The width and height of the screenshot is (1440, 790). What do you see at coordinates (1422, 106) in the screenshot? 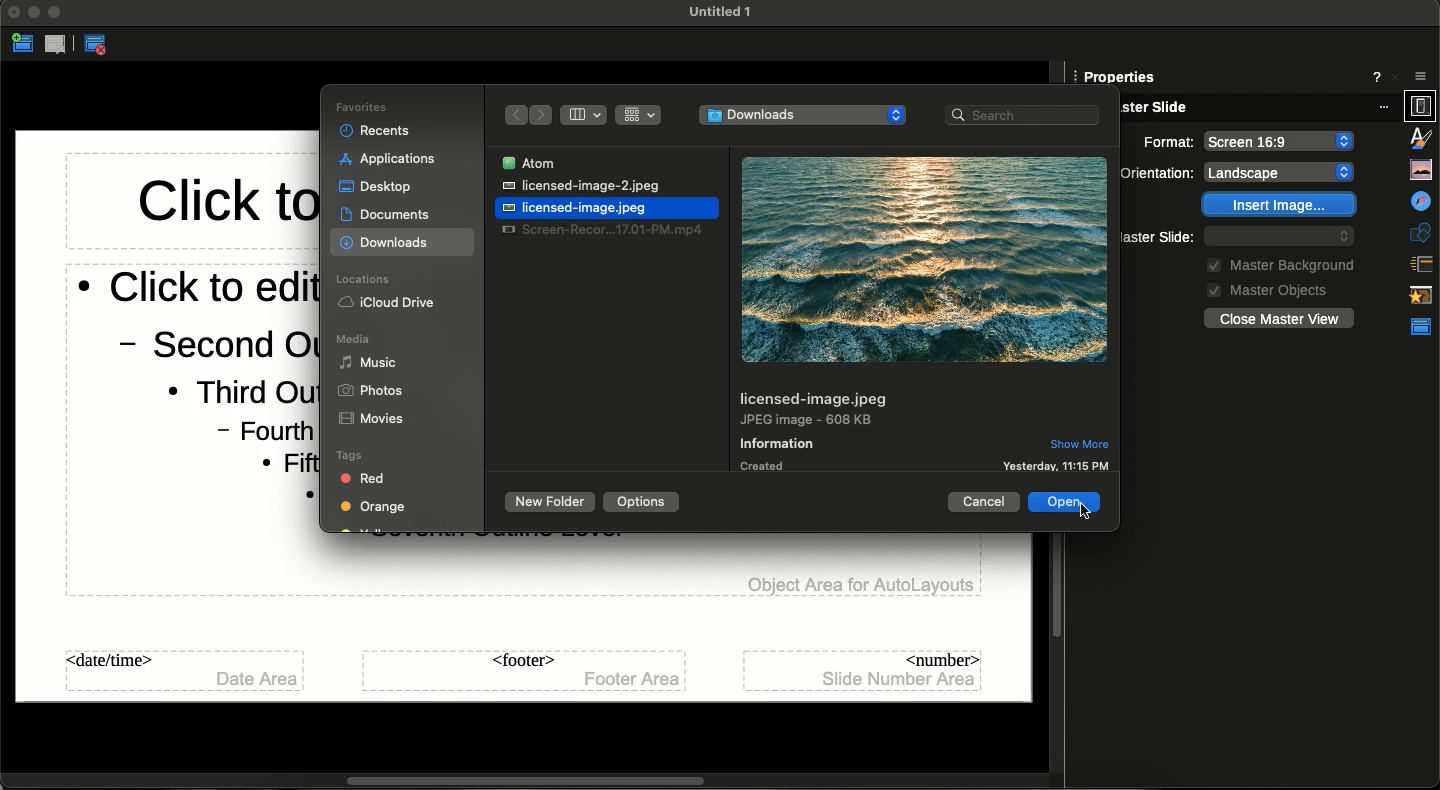
I see `Styles` at bounding box center [1422, 106].